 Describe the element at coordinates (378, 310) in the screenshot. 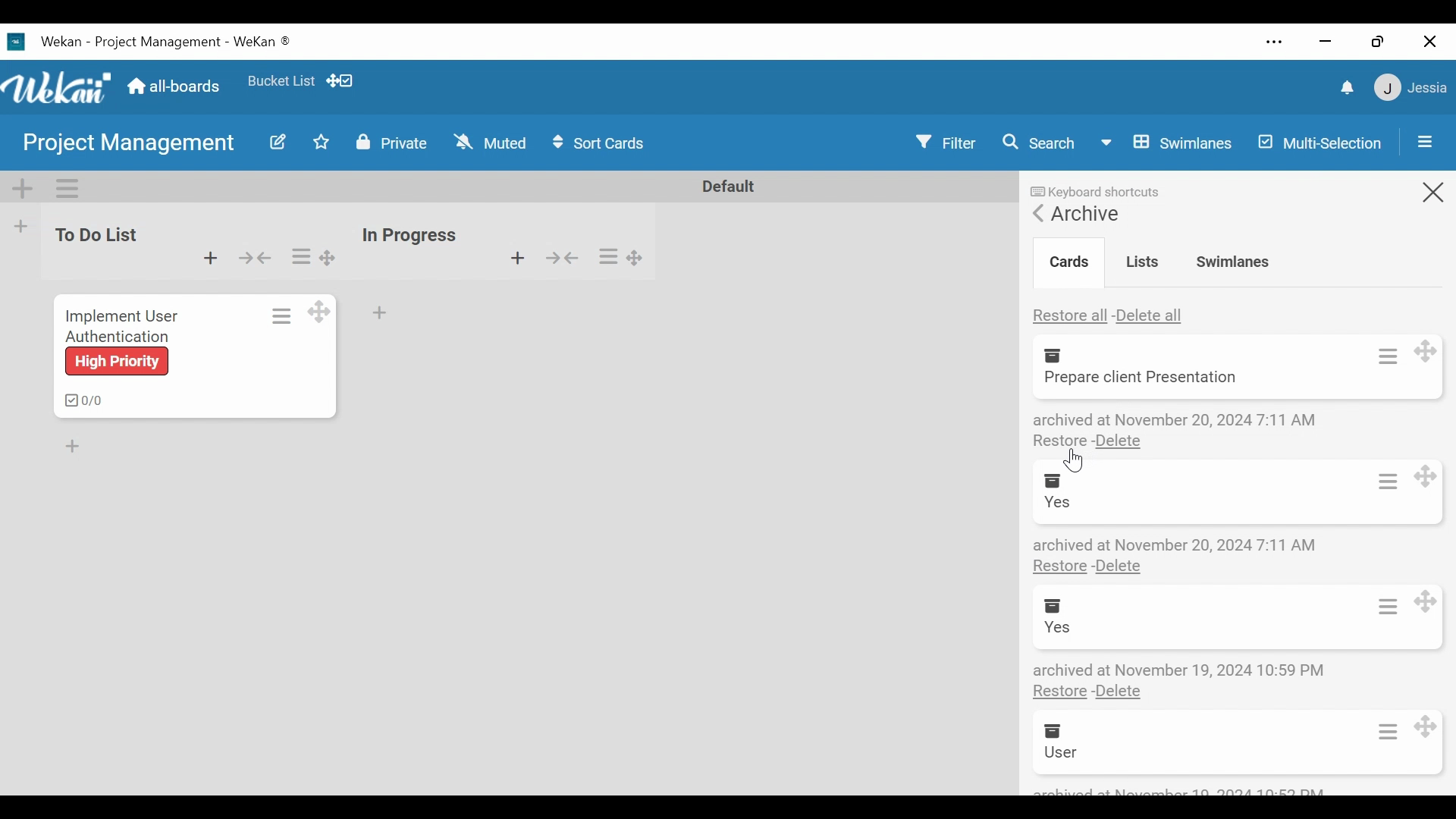

I see `Add card Bottom of the list` at that location.